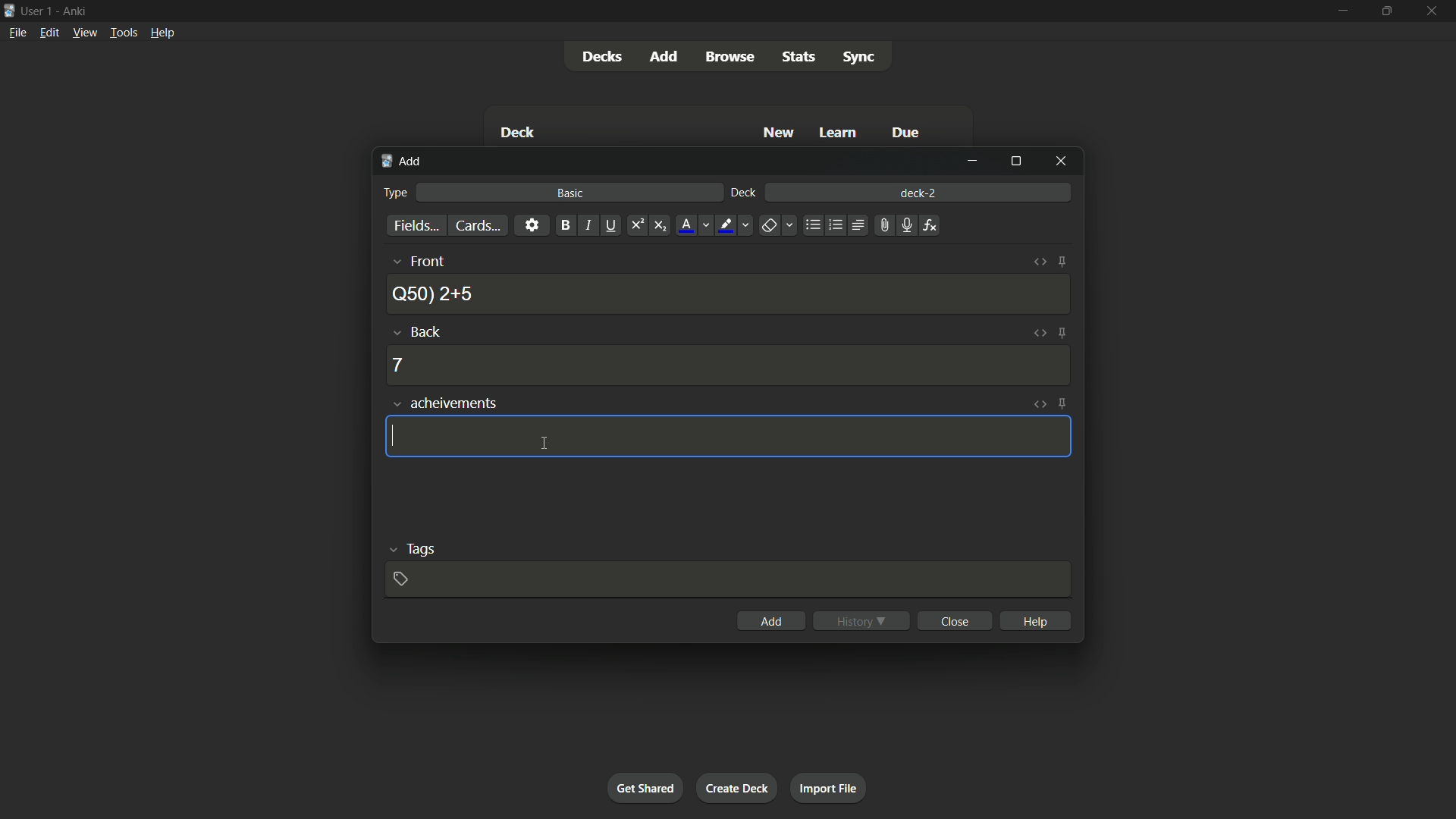 The width and height of the screenshot is (1456, 819). Describe the element at coordinates (1386, 11) in the screenshot. I see `maximize` at that location.